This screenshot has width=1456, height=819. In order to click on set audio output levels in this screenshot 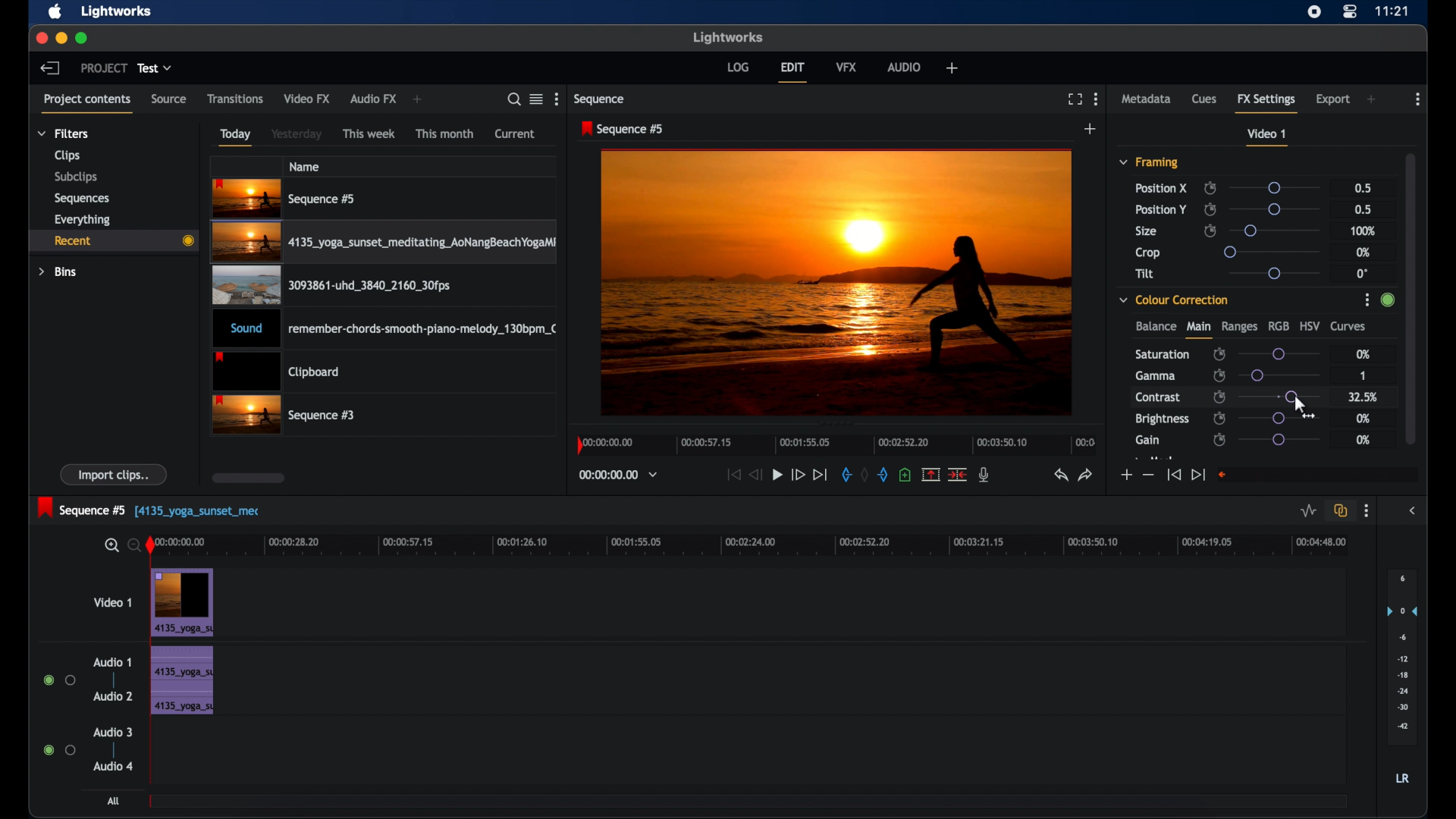, I will do `click(1402, 655)`.